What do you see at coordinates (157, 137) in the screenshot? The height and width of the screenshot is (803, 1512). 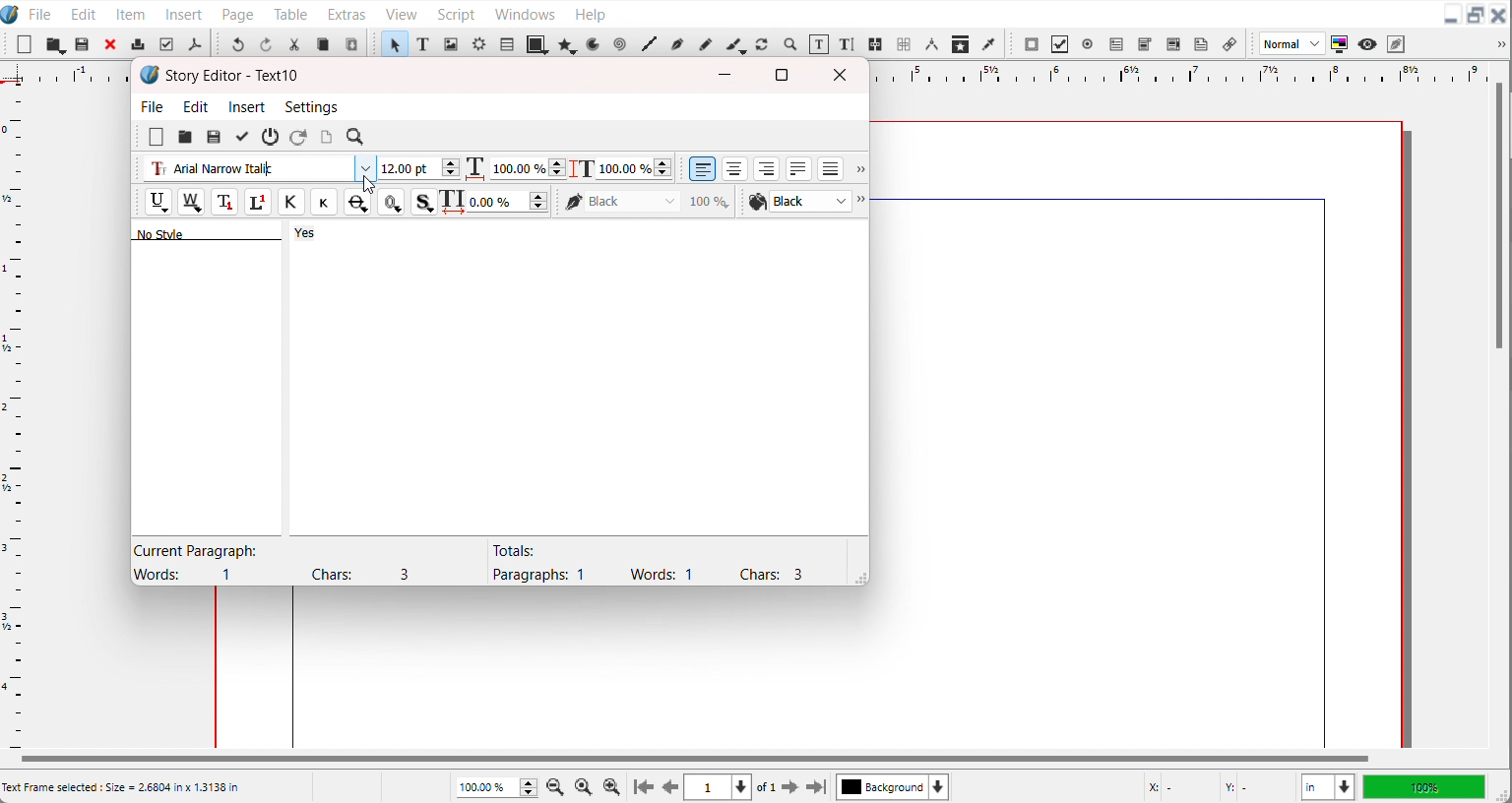 I see `New ` at bounding box center [157, 137].